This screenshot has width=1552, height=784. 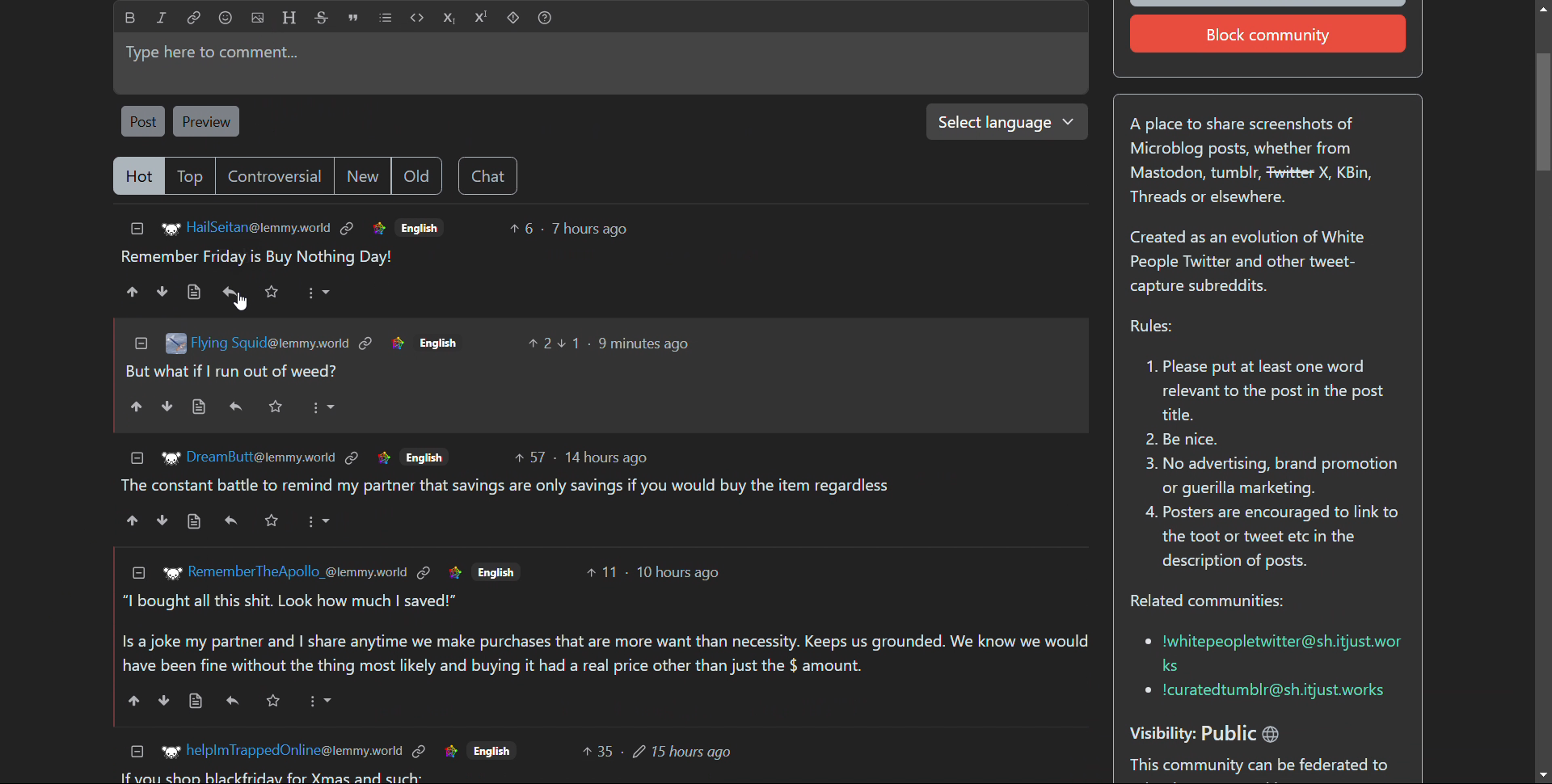 What do you see at coordinates (1191, 440) in the screenshot?
I see `2. Be nice.` at bounding box center [1191, 440].